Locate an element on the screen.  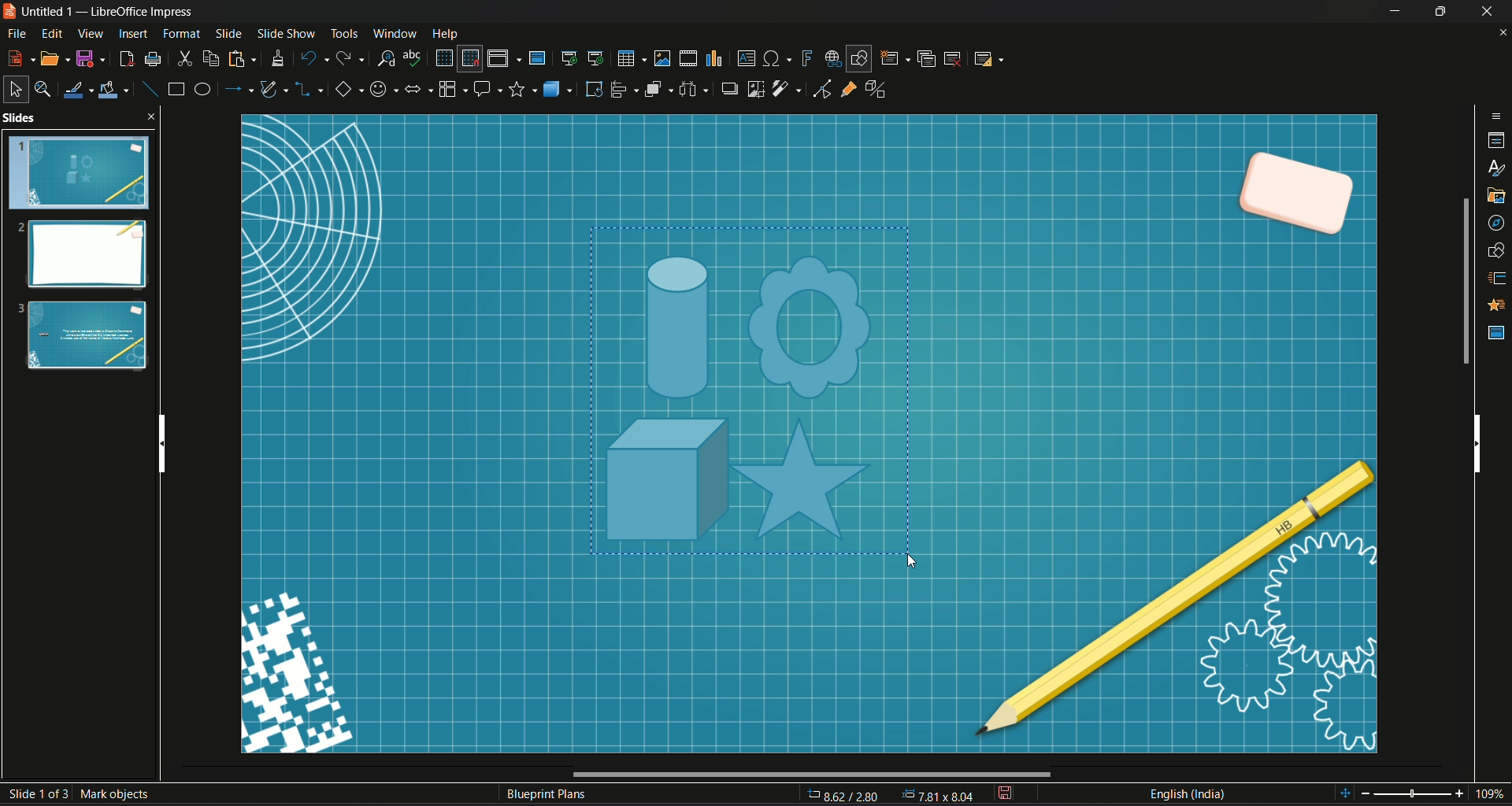
Zoom is located at coordinates (1425, 794).